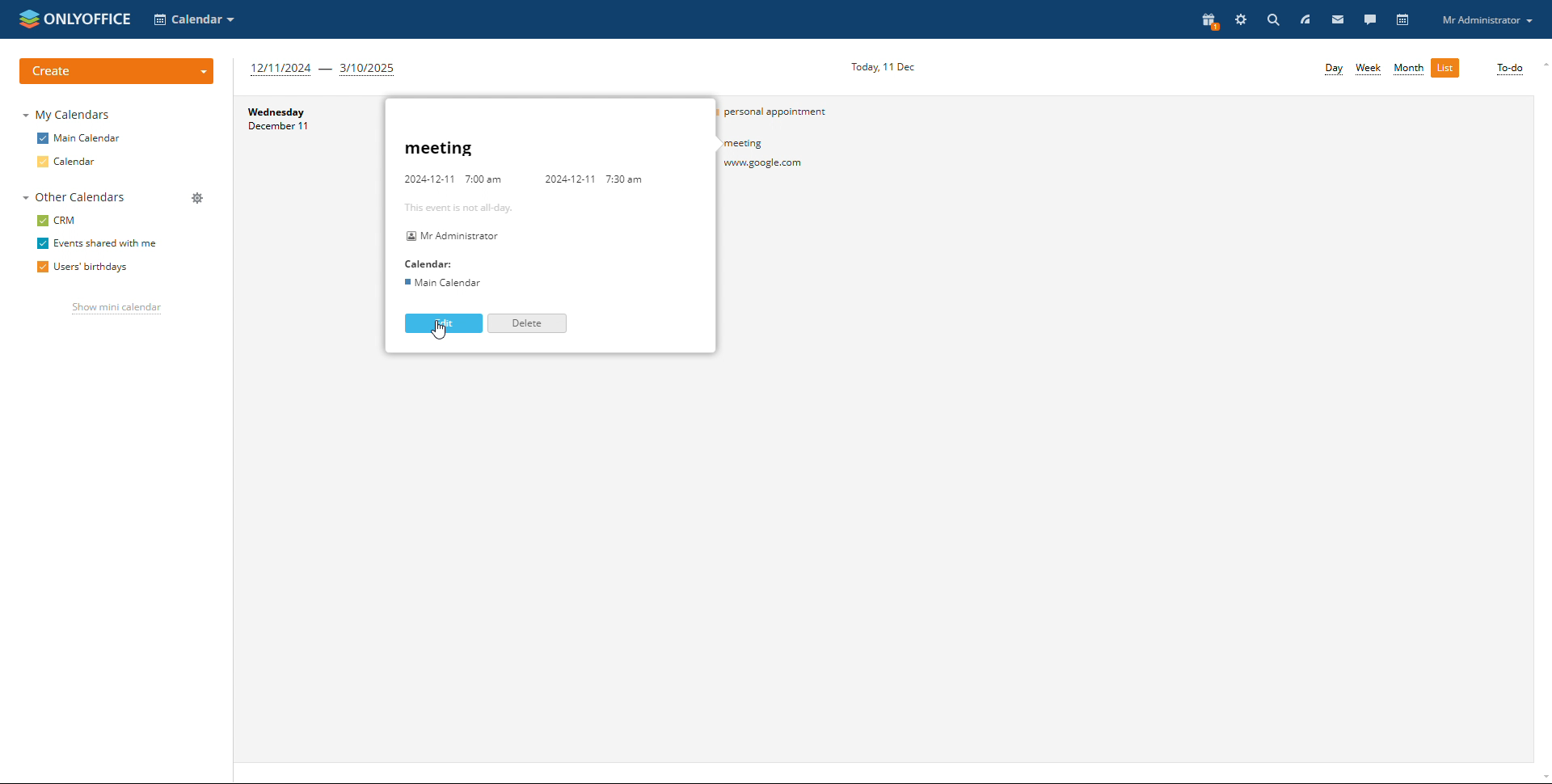 Image resolution: width=1552 pixels, height=784 pixels. Describe the element at coordinates (118, 309) in the screenshot. I see `show mini calendar` at that location.